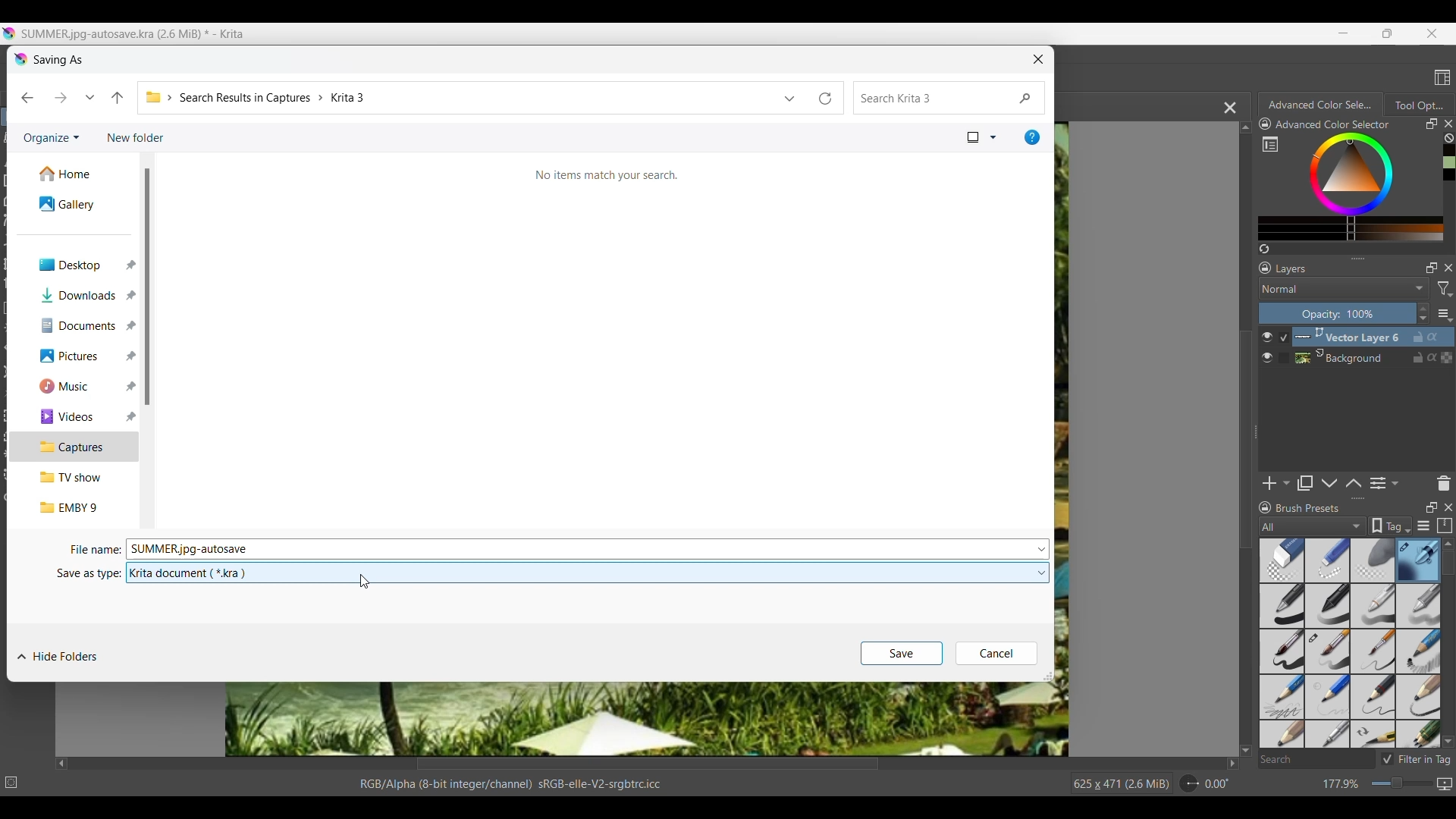 Image resolution: width=1456 pixels, height=819 pixels. Describe the element at coordinates (902, 654) in the screenshot. I see `Save inputs made` at that location.